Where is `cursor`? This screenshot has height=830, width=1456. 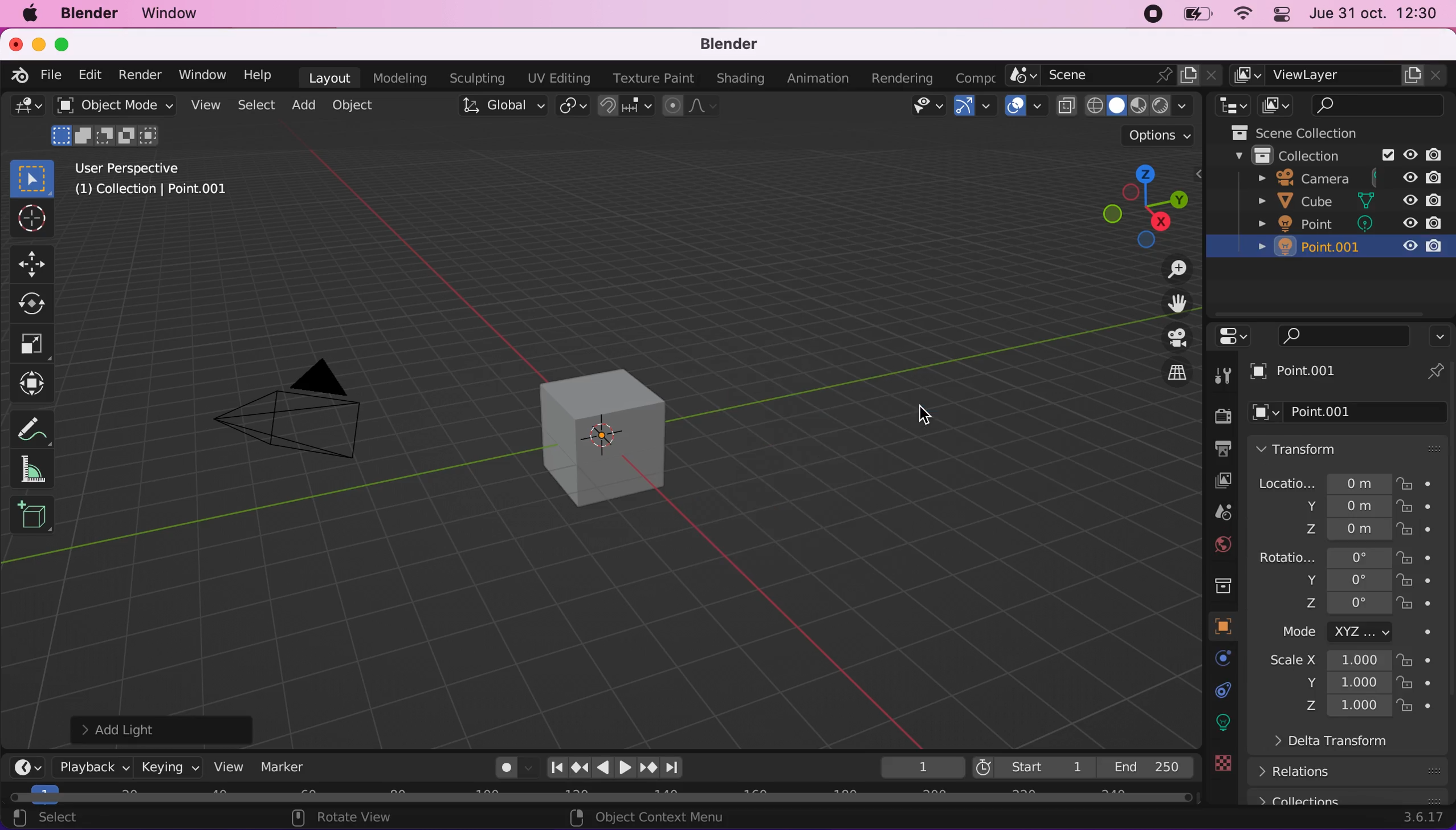
cursor is located at coordinates (31, 219).